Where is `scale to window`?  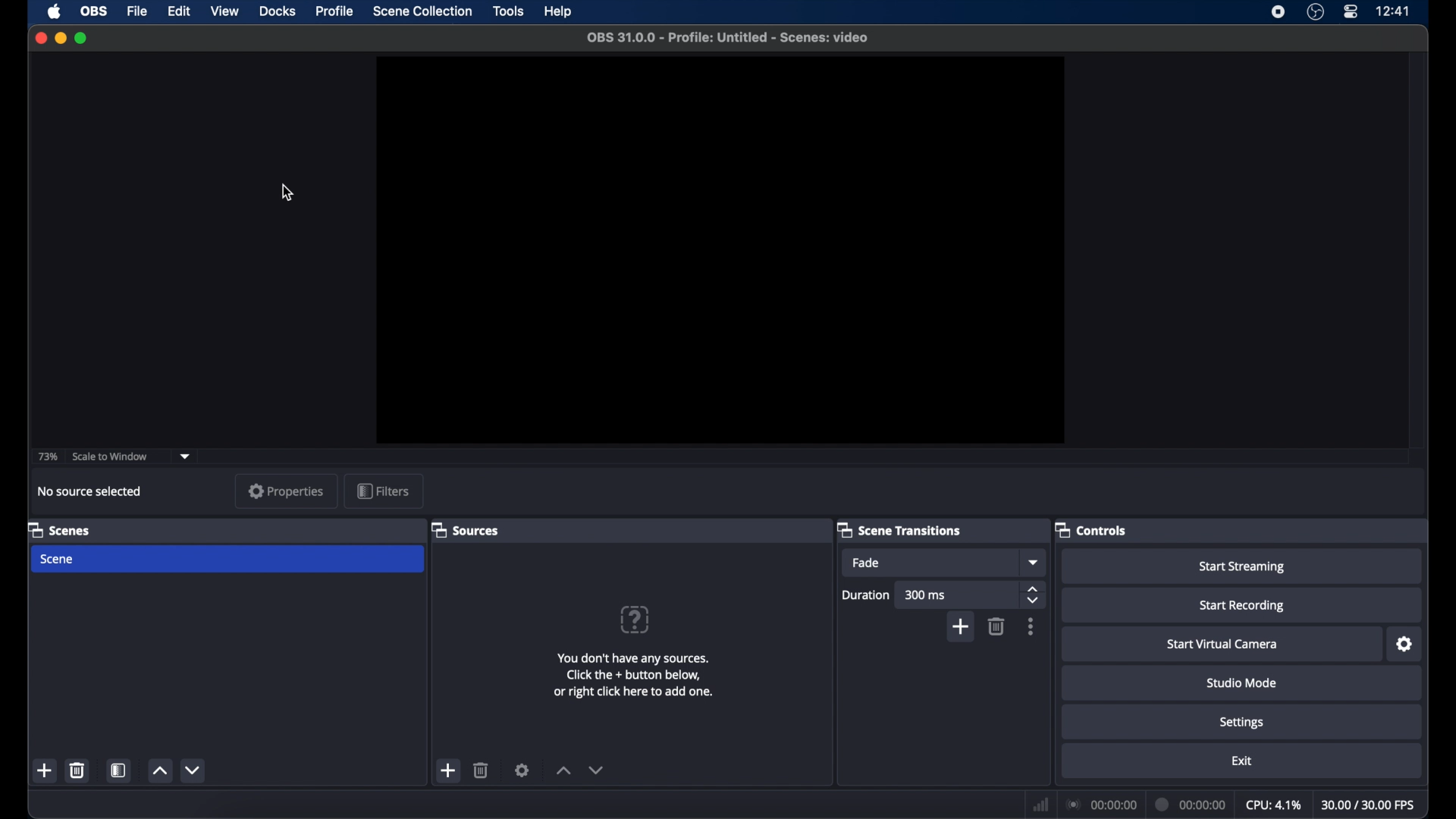
scale to window is located at coordinates (111, 456).